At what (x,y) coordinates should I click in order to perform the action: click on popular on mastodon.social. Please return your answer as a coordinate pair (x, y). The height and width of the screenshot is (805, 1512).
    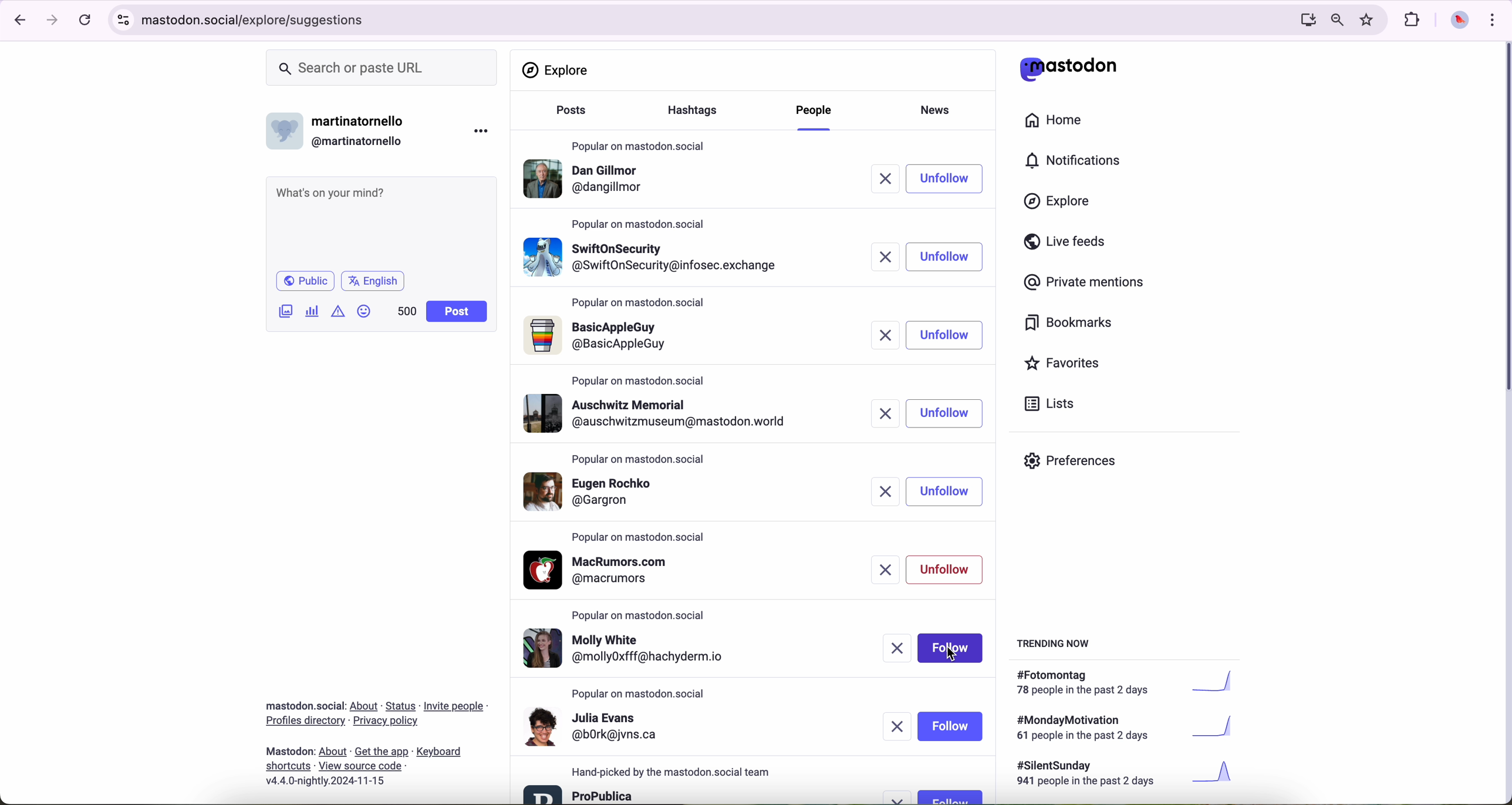
    Looking at the image, I should click on (640, 694).